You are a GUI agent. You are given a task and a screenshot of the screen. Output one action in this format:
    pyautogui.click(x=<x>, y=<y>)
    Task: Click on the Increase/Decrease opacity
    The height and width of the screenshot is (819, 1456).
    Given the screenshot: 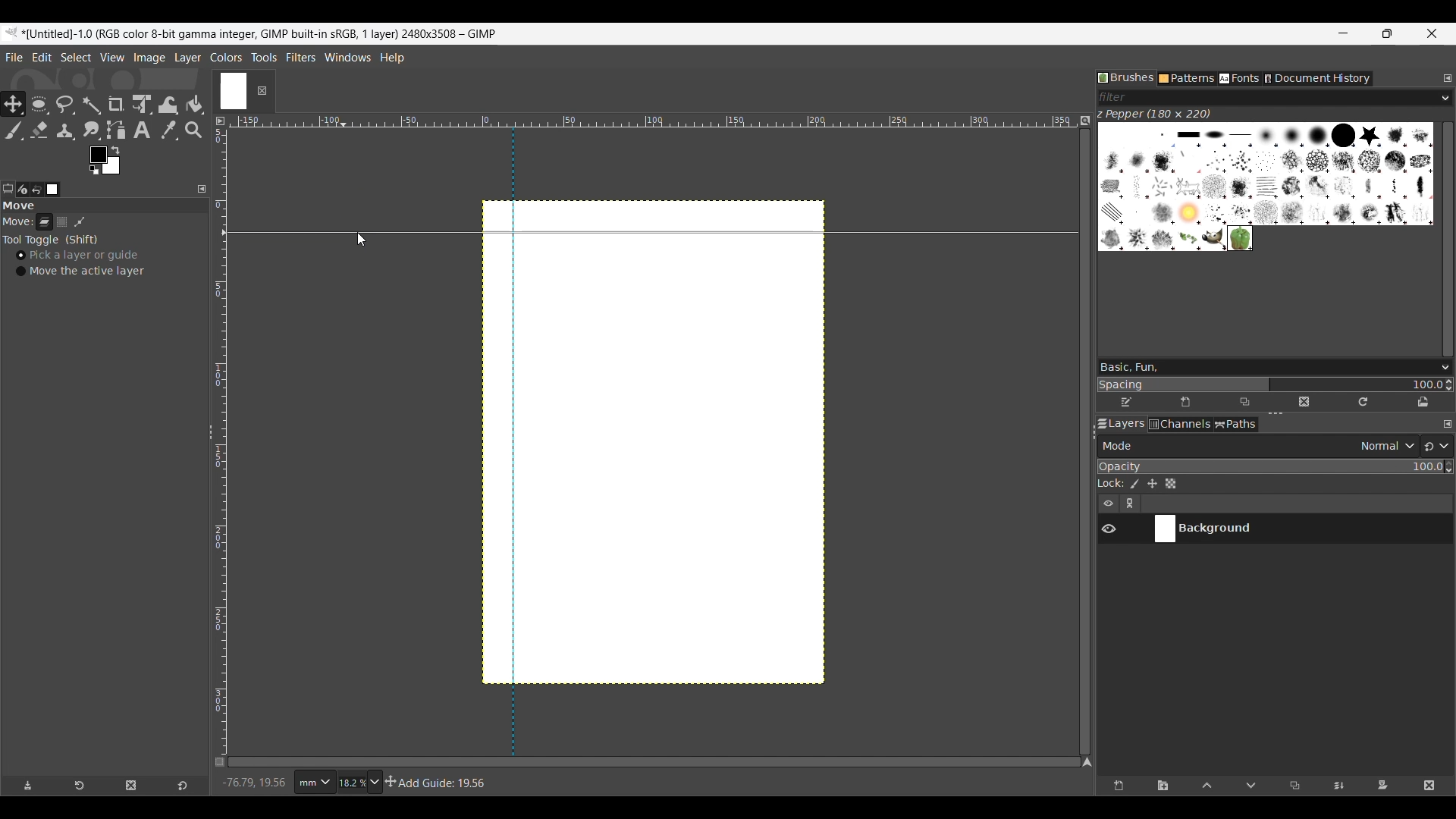 What is the action you would take?
    pyautogui.click(x=1448, y=467)
    